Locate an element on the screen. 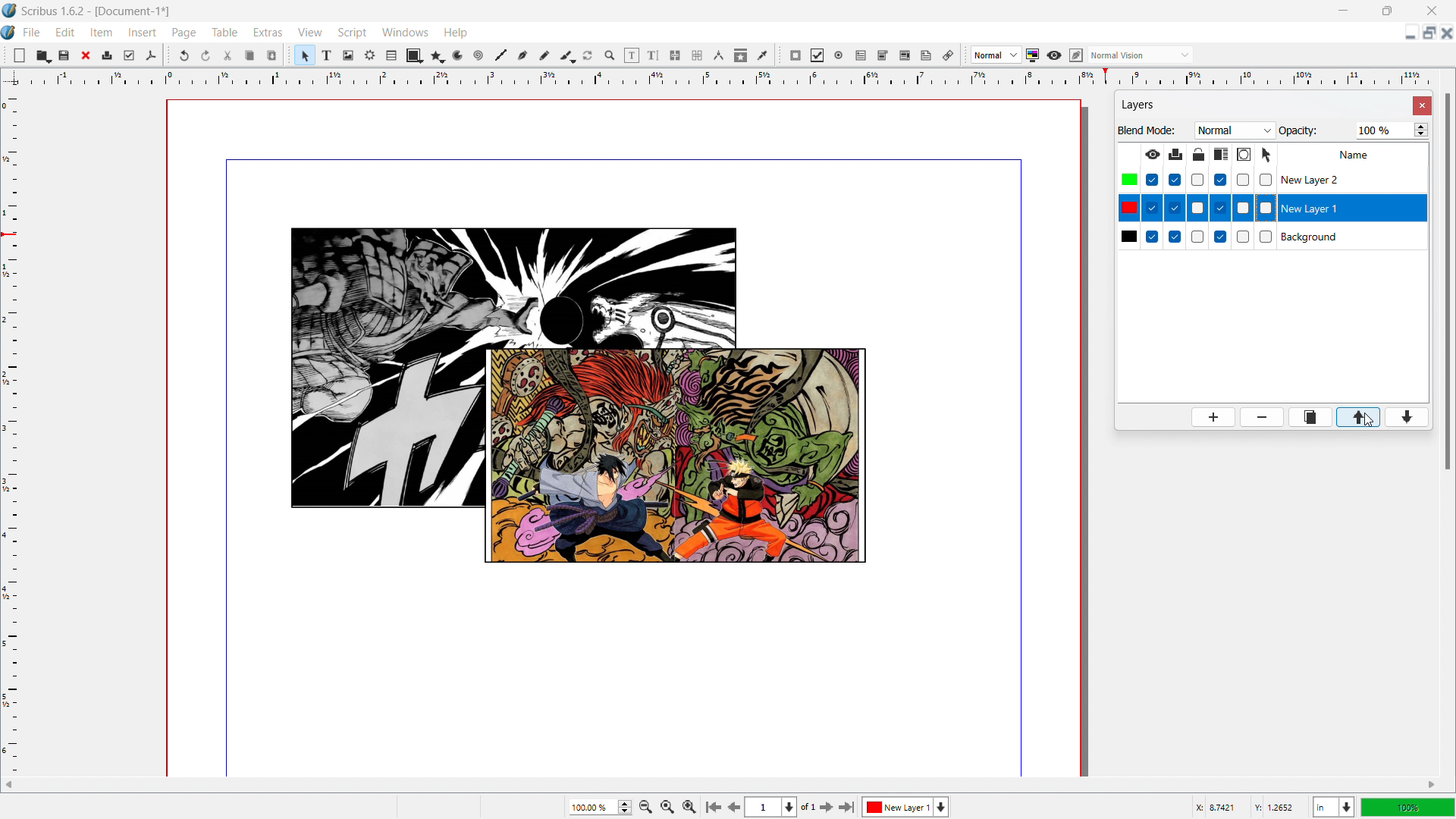 This screenshot has height=819, width=1456. bezier curve is located at coordinates (522, 55).